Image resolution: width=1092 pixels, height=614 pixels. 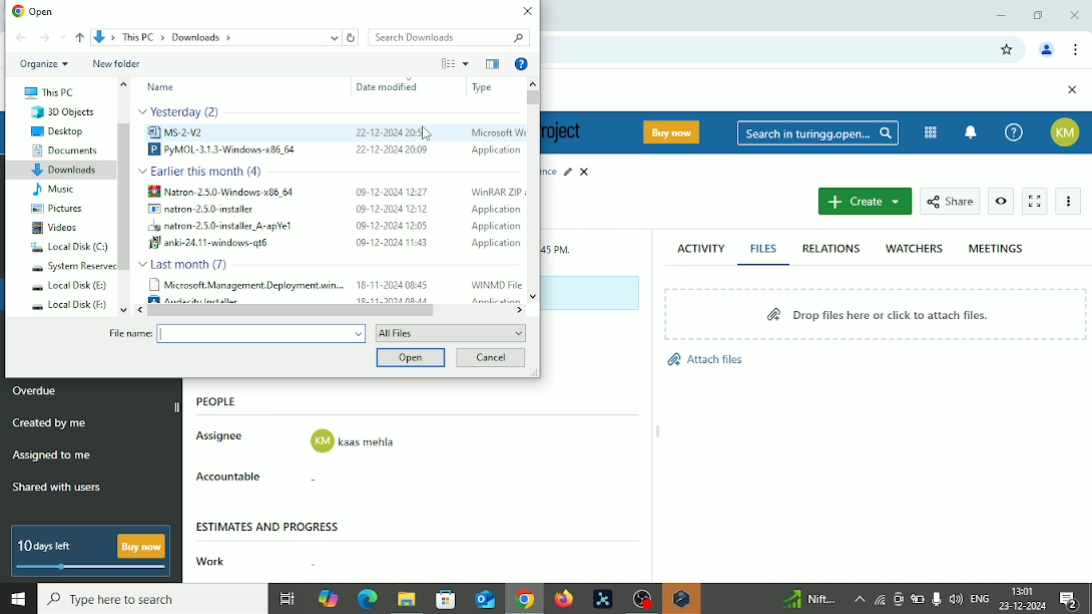 What do you see at coordinates (936, 598) in the screenshot?
I see `Mic` at bounding box center [936, 598].